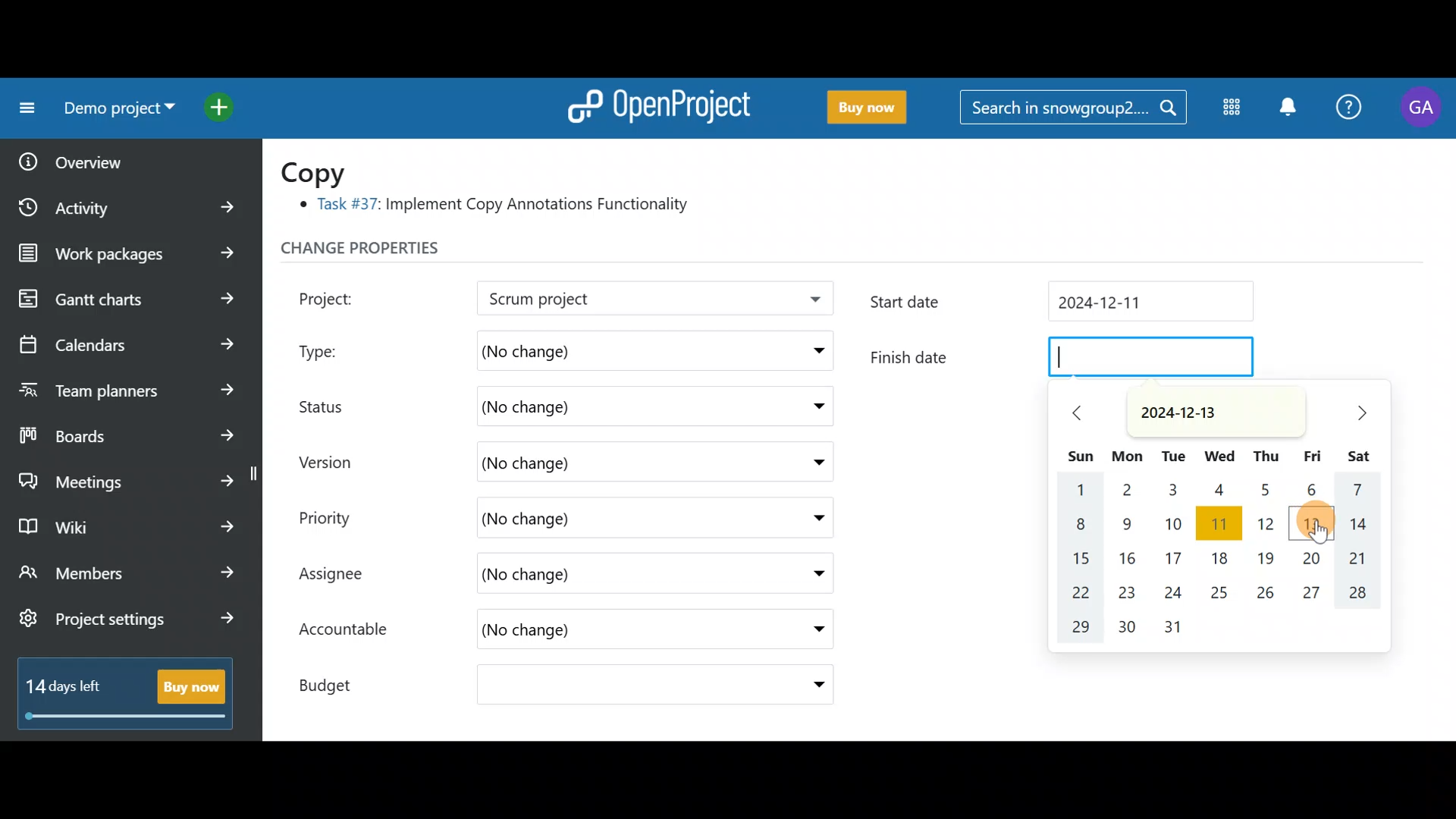 This screenshot has width=1456, height=819. Describe the element at coordinates (601, 460) in the screenshot. I see `(No change)` at that location.